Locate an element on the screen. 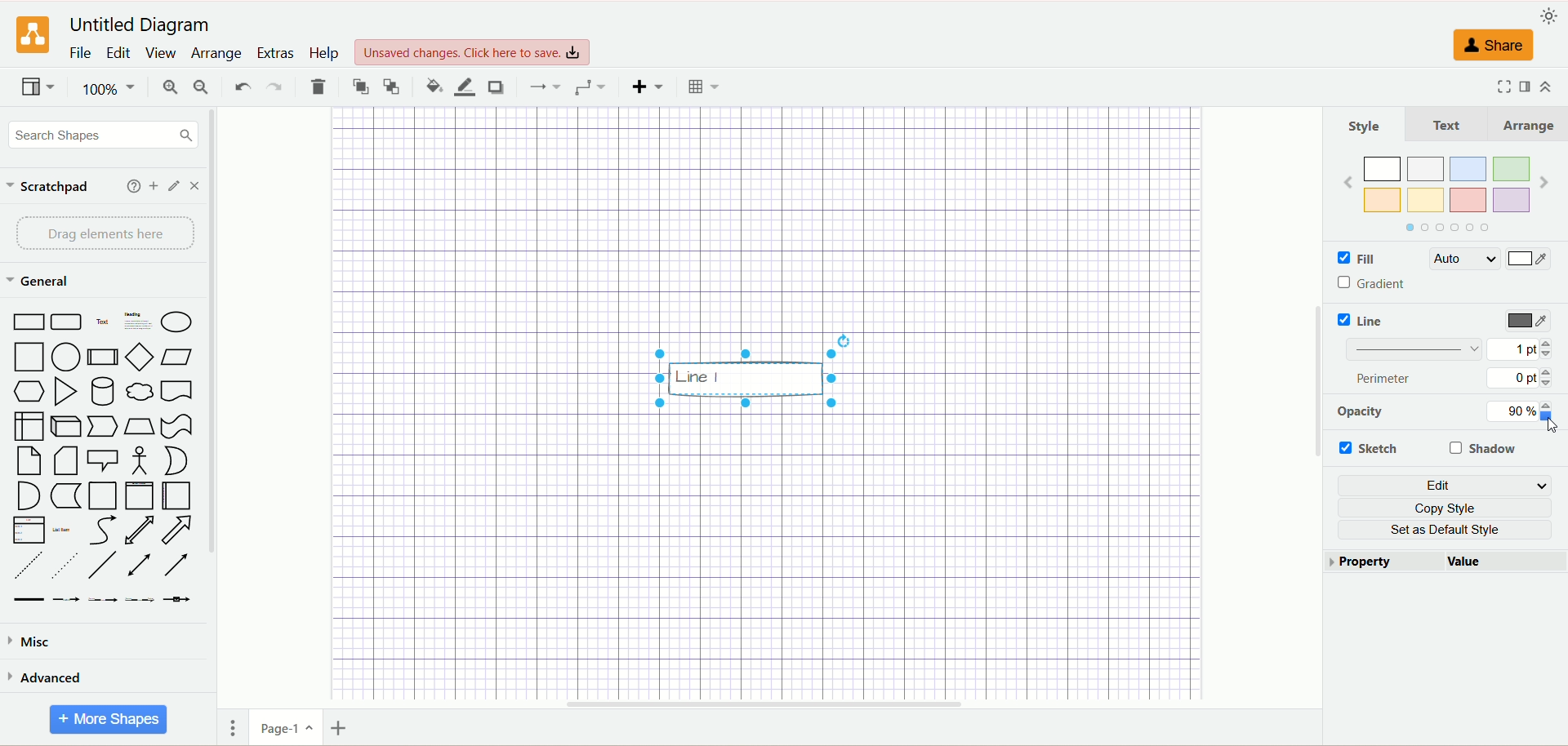 The height and width of the screenshot is (746, 1568). 90% is located at coordinates (1522, 413).